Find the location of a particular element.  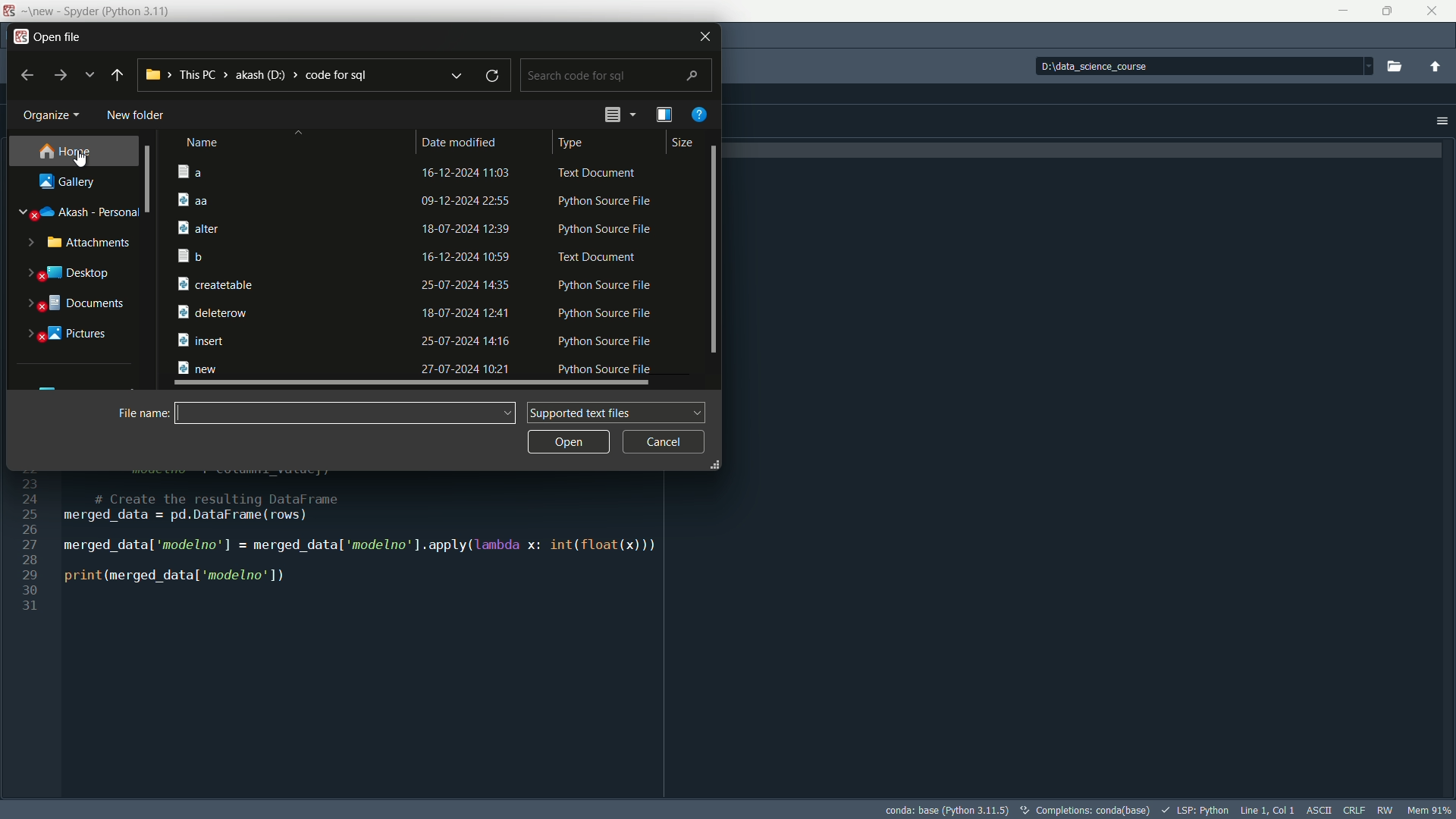

type is located at coordinates (575, 143).